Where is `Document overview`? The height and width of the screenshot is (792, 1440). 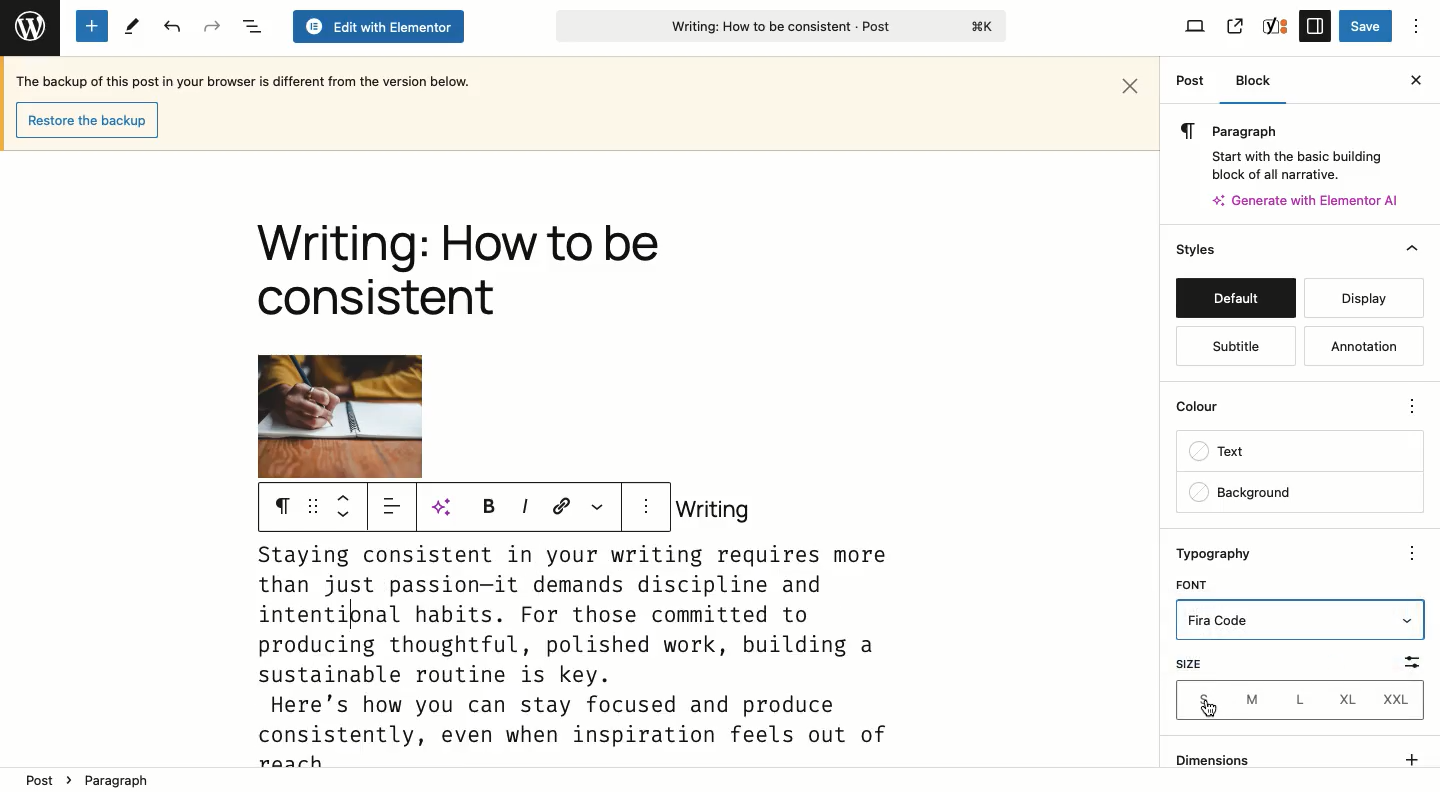 Document overview is located at coordinates (251, 27).